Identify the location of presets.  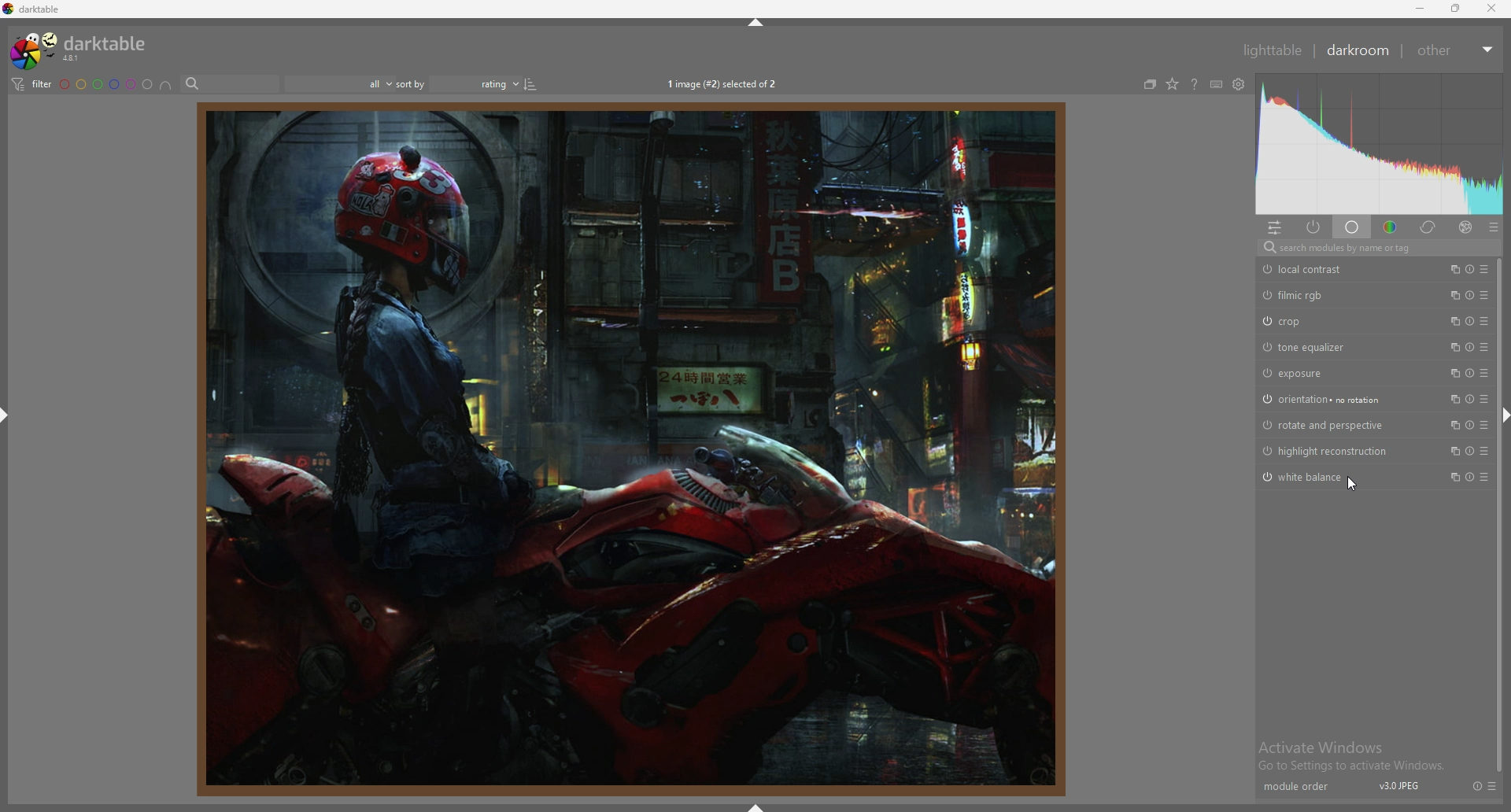
(1483, 373).